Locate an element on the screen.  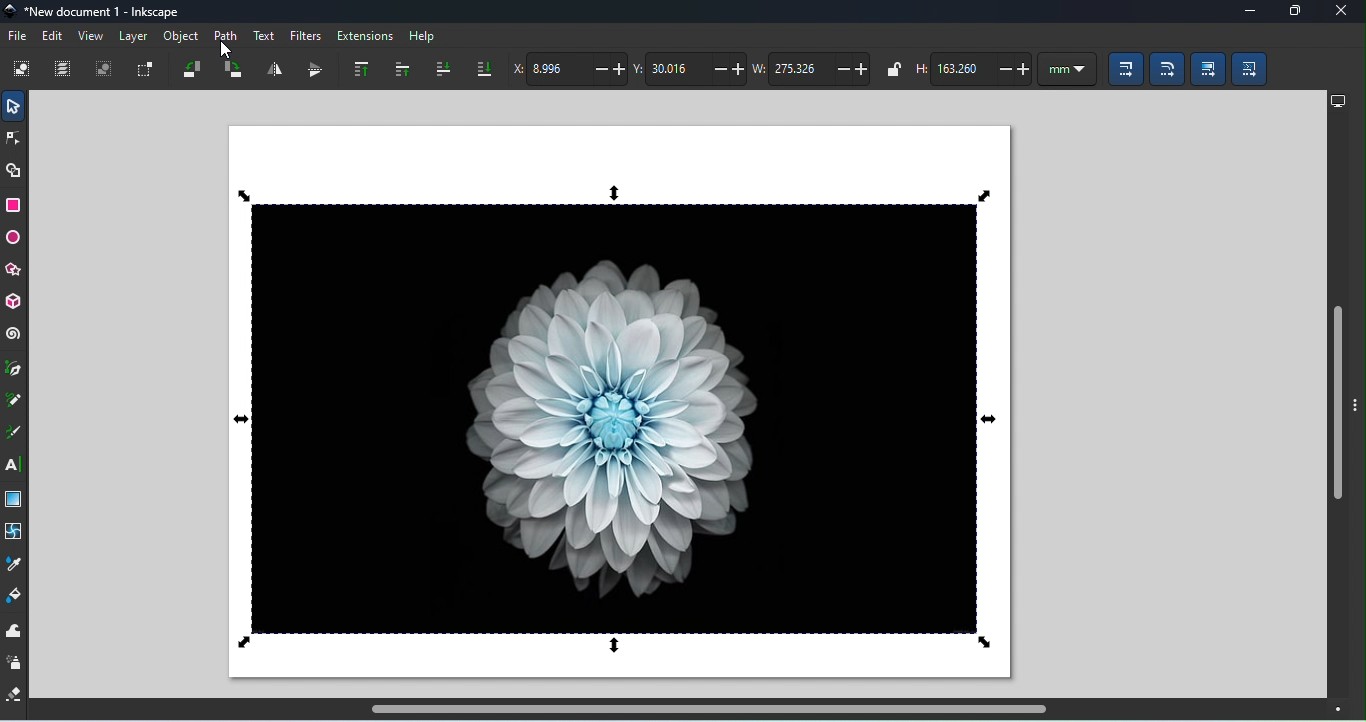
Shape builder tool is located at coordinates (13, 172).